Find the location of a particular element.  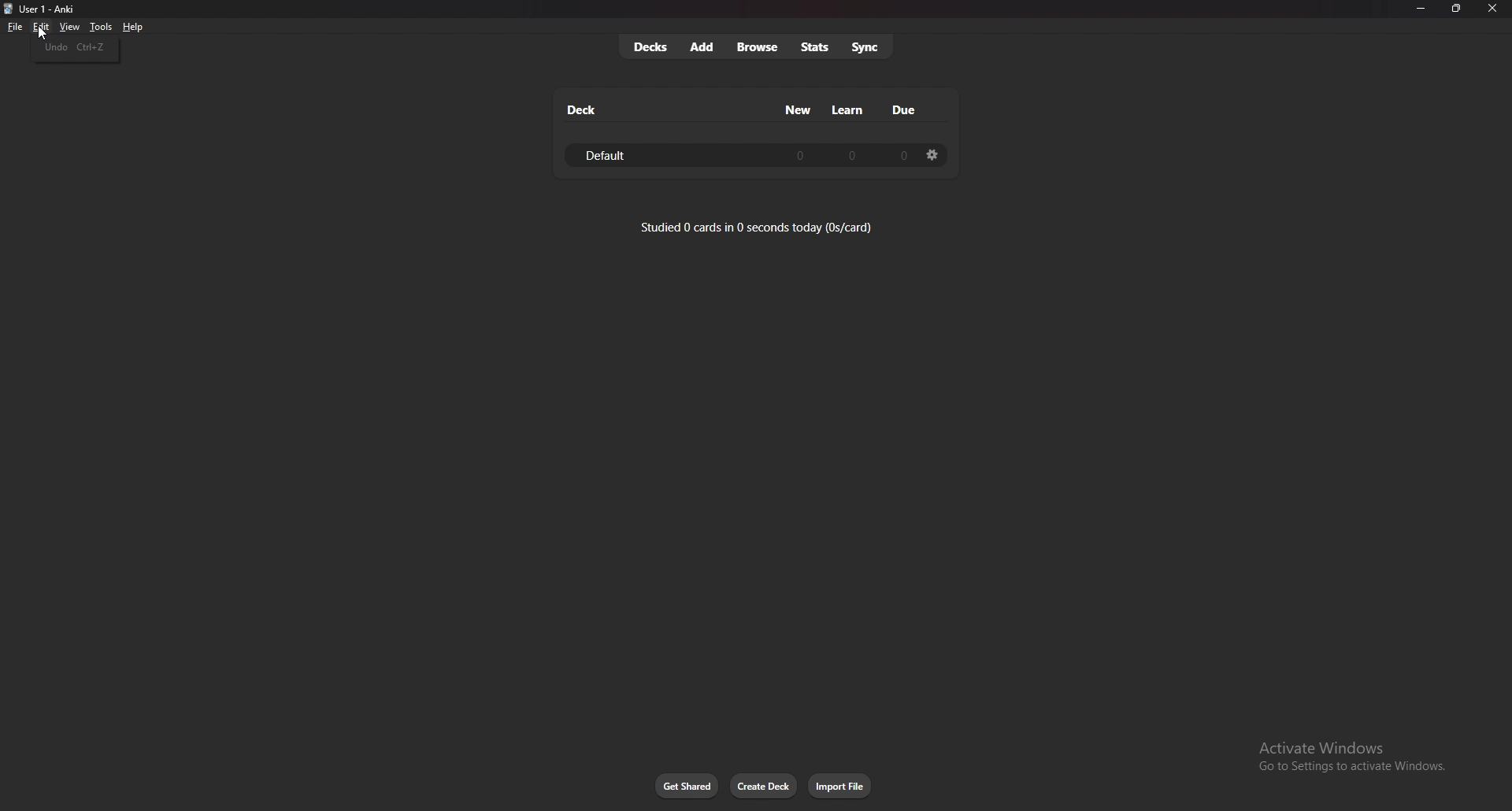

sync is located at coordinates (865, 48).